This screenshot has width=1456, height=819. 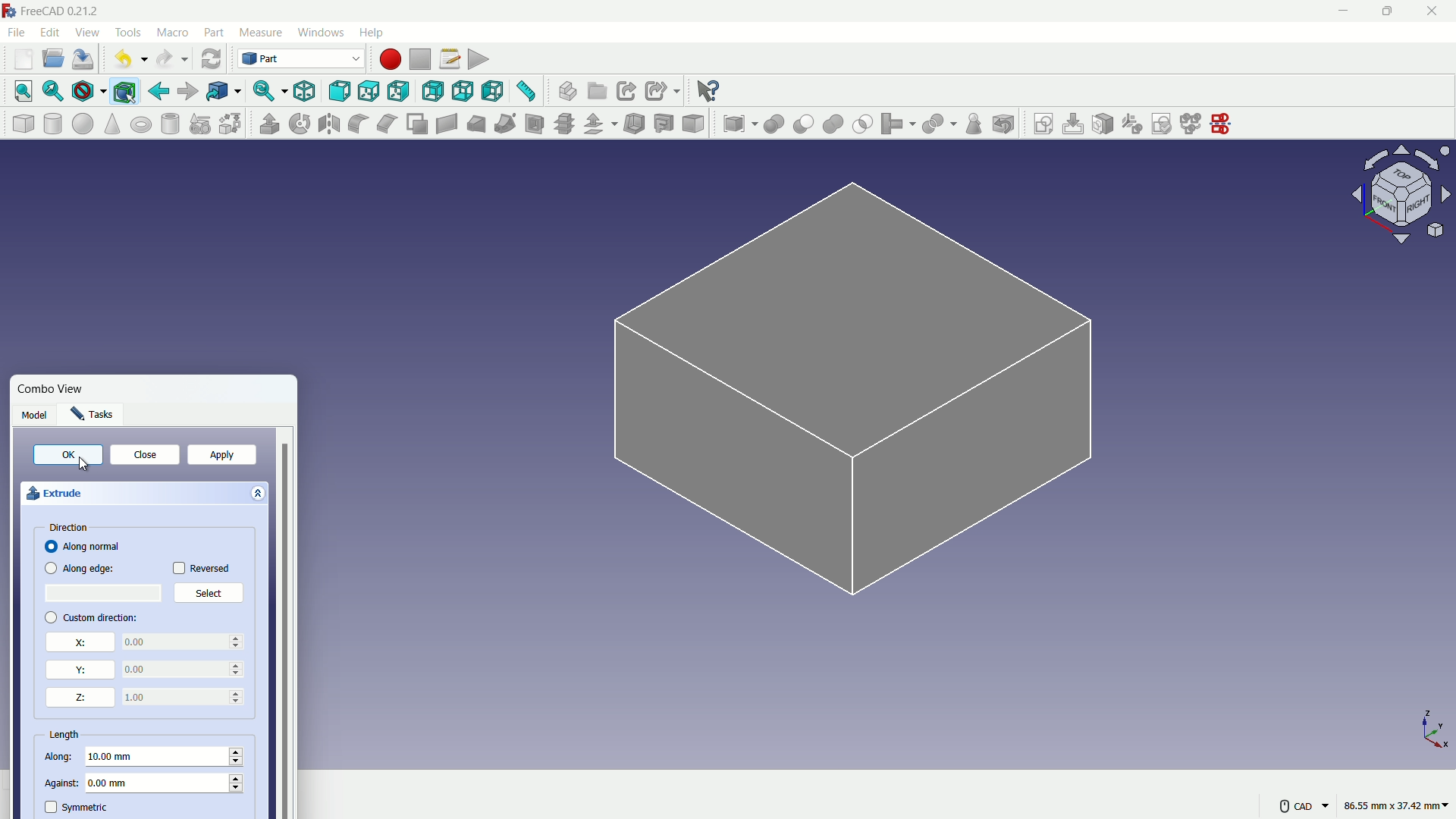 What do you see at coordinates (36, 411) in the screenshot?
I see `Model` at bounding box center [36, 411].